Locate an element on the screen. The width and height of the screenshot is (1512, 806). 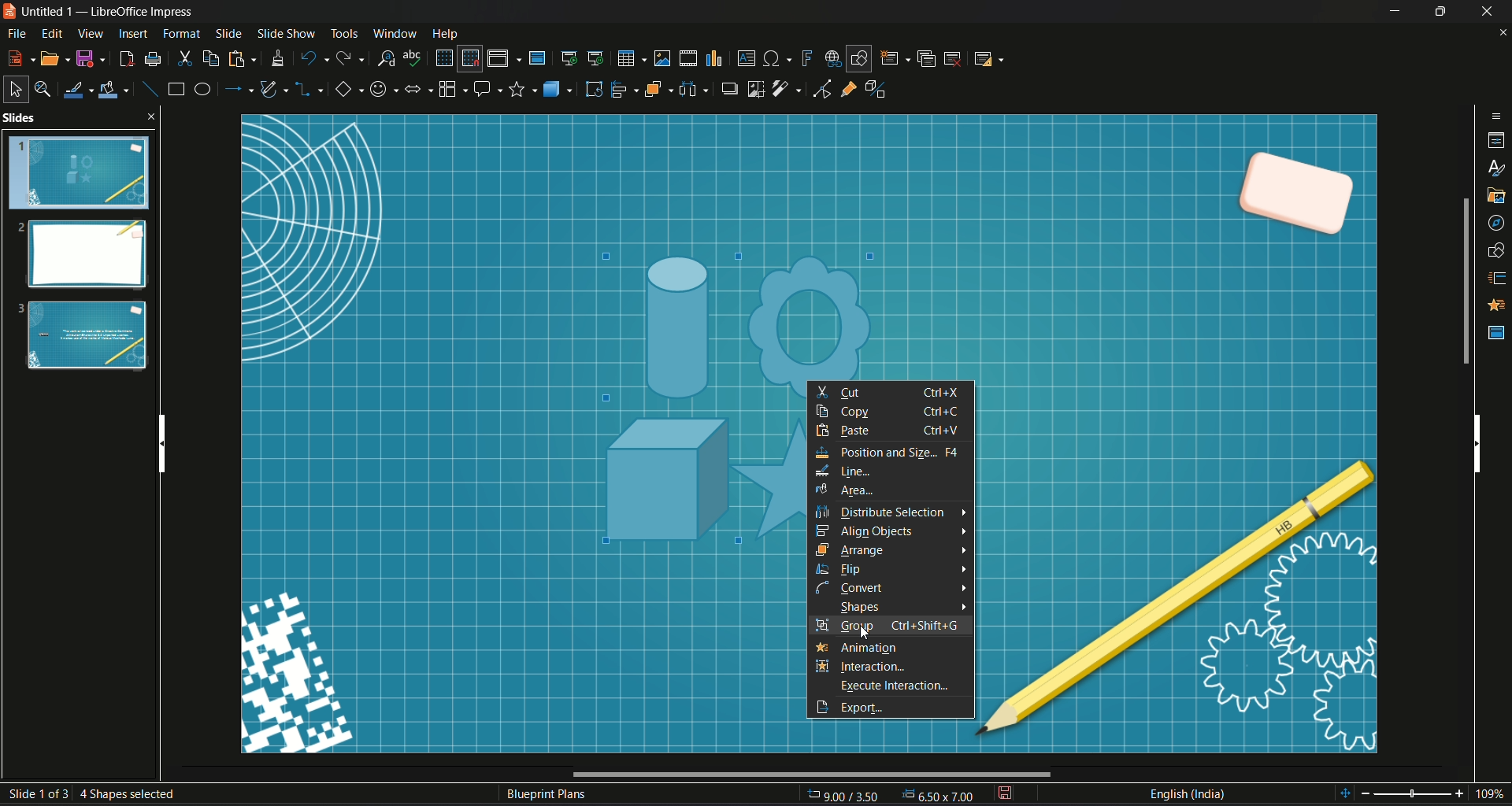
crop image is located at coordinates (757, 88).